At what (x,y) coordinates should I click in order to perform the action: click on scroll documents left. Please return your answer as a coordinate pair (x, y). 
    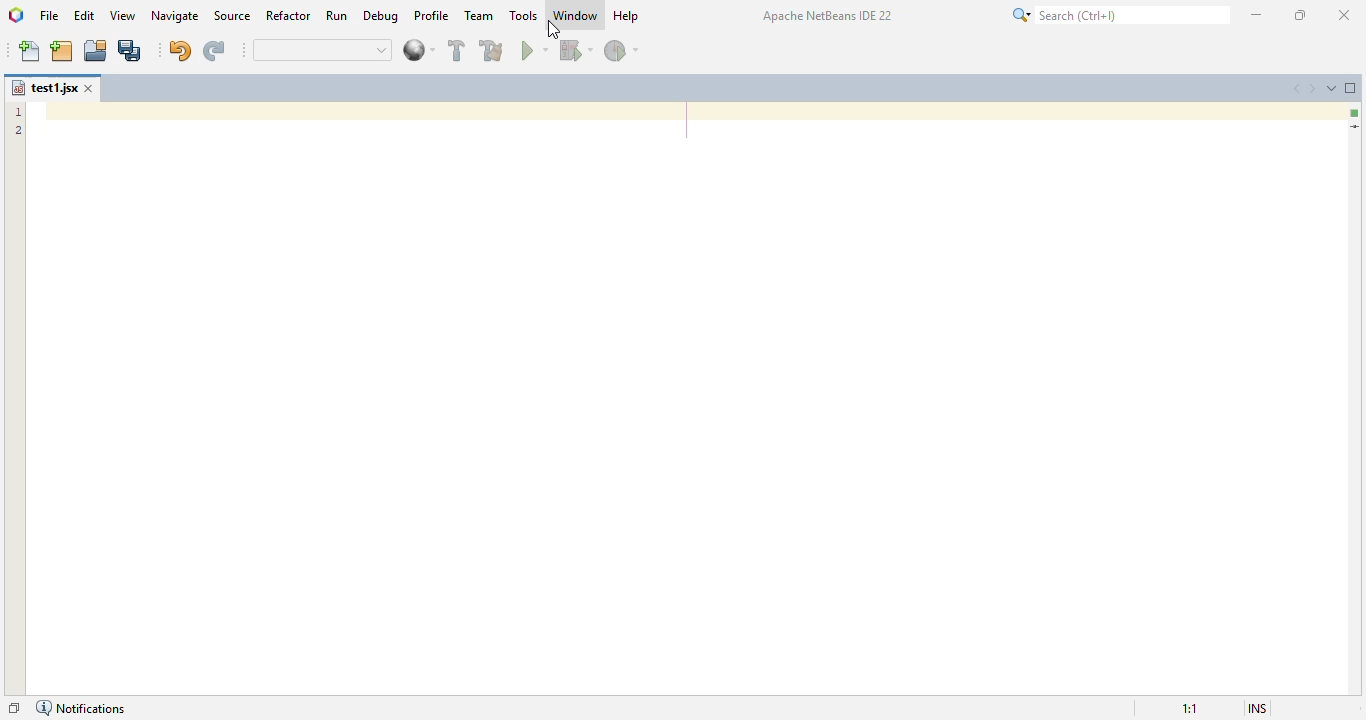
    Looking at the image, I should click on (1294, 88).